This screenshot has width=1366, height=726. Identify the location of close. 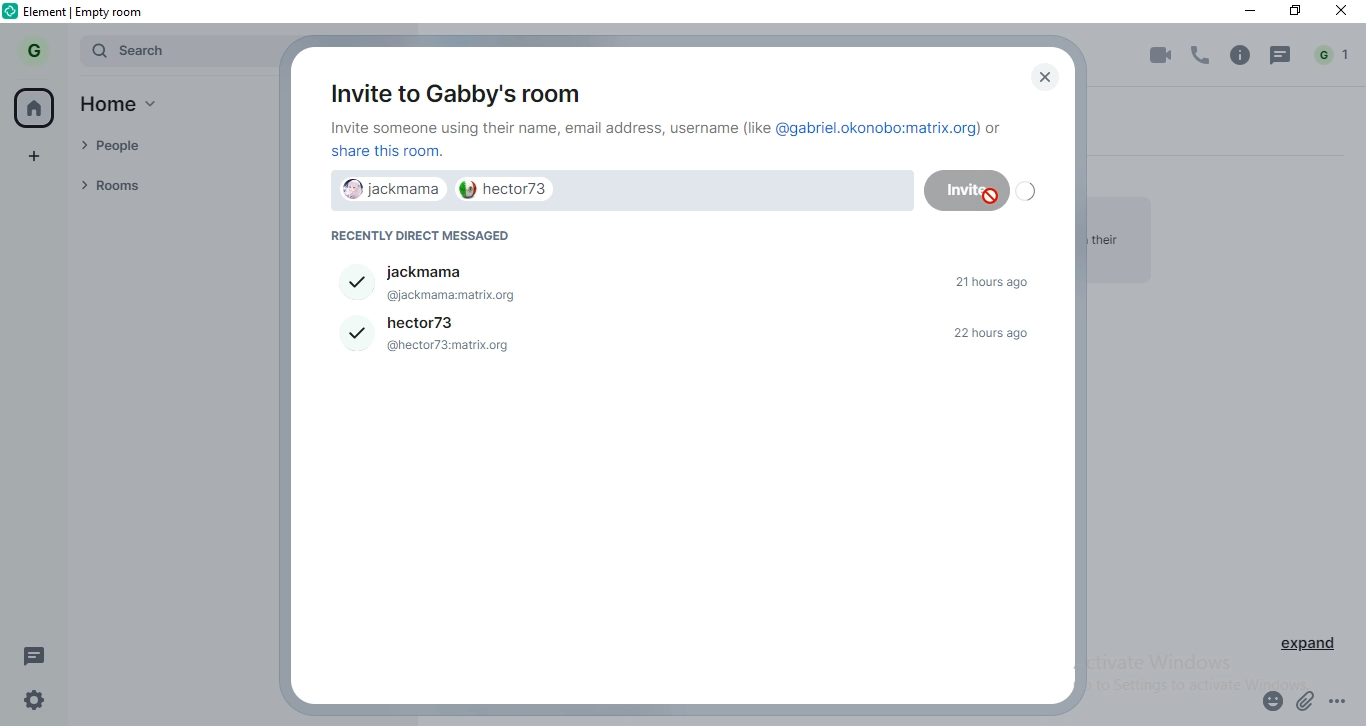
(1344, 13).